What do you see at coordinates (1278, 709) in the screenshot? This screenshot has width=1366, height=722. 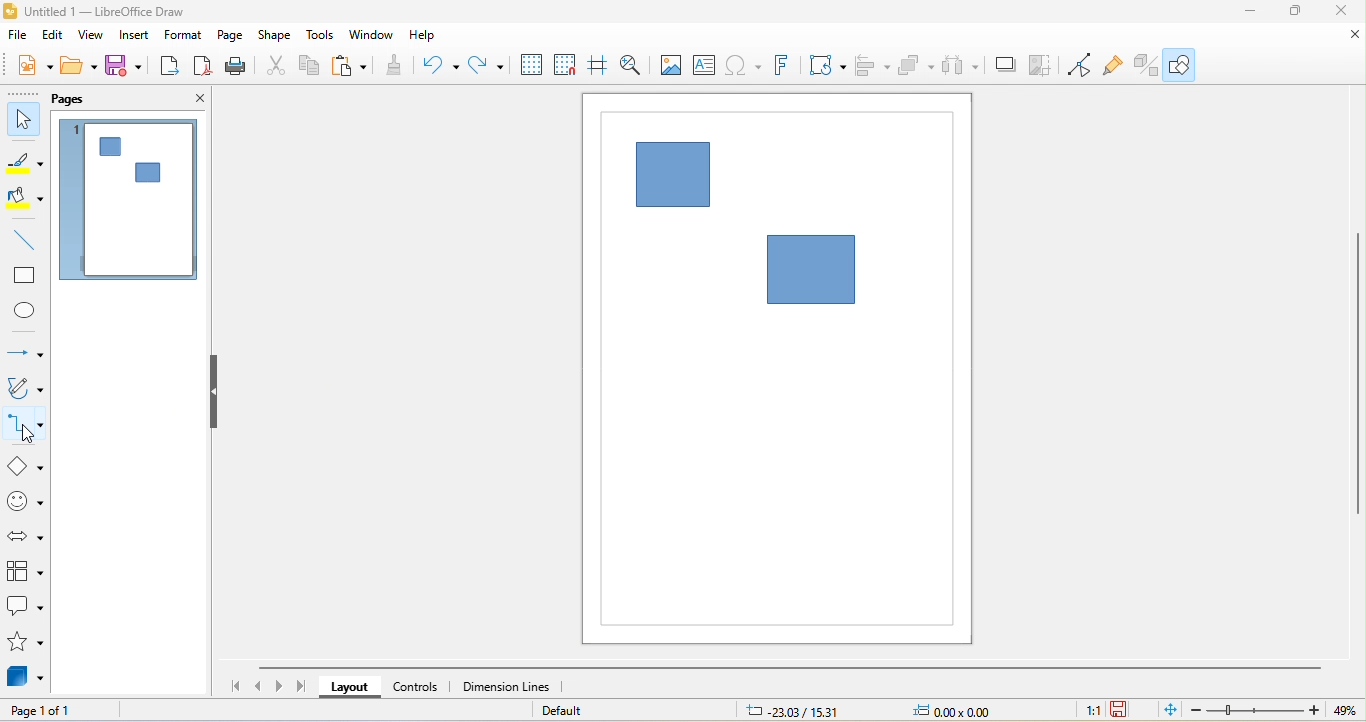 I see `zoom` at bounding box center [1278, 709].